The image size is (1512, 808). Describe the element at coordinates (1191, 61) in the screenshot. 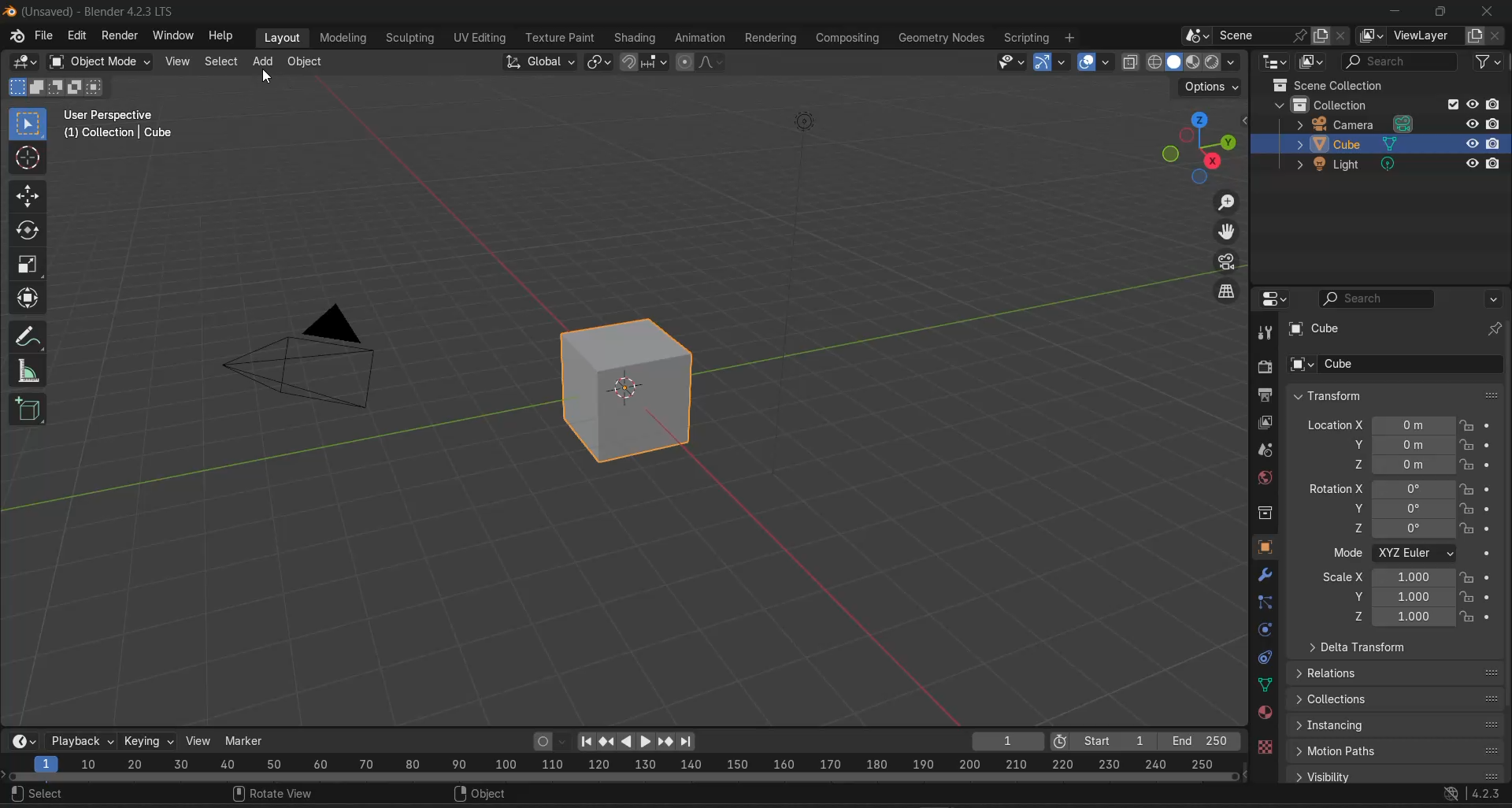

I see `viewport shading:material preview` at that location.